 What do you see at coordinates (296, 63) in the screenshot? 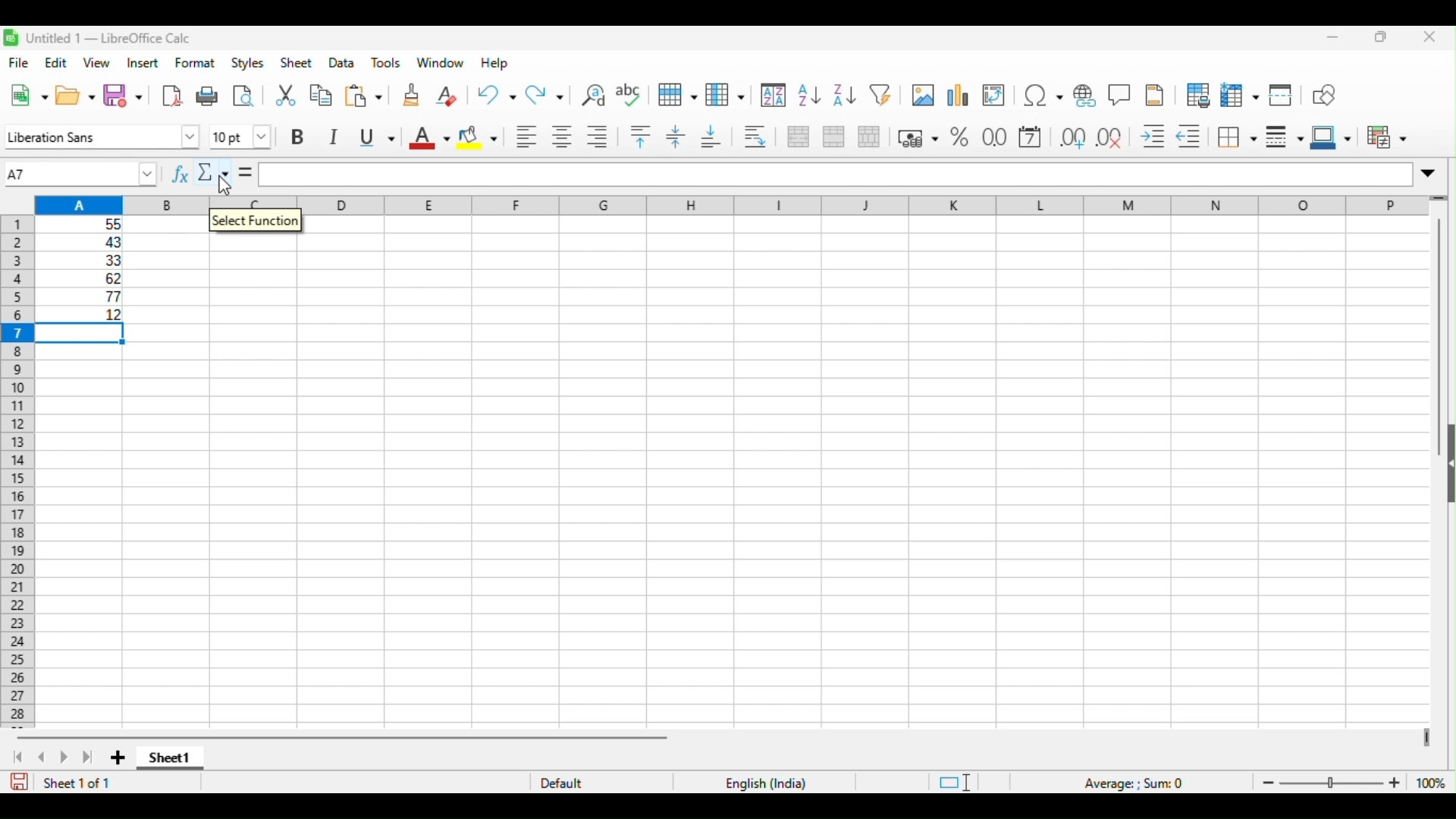
I see `sheet` at bounding box center [296, 63].